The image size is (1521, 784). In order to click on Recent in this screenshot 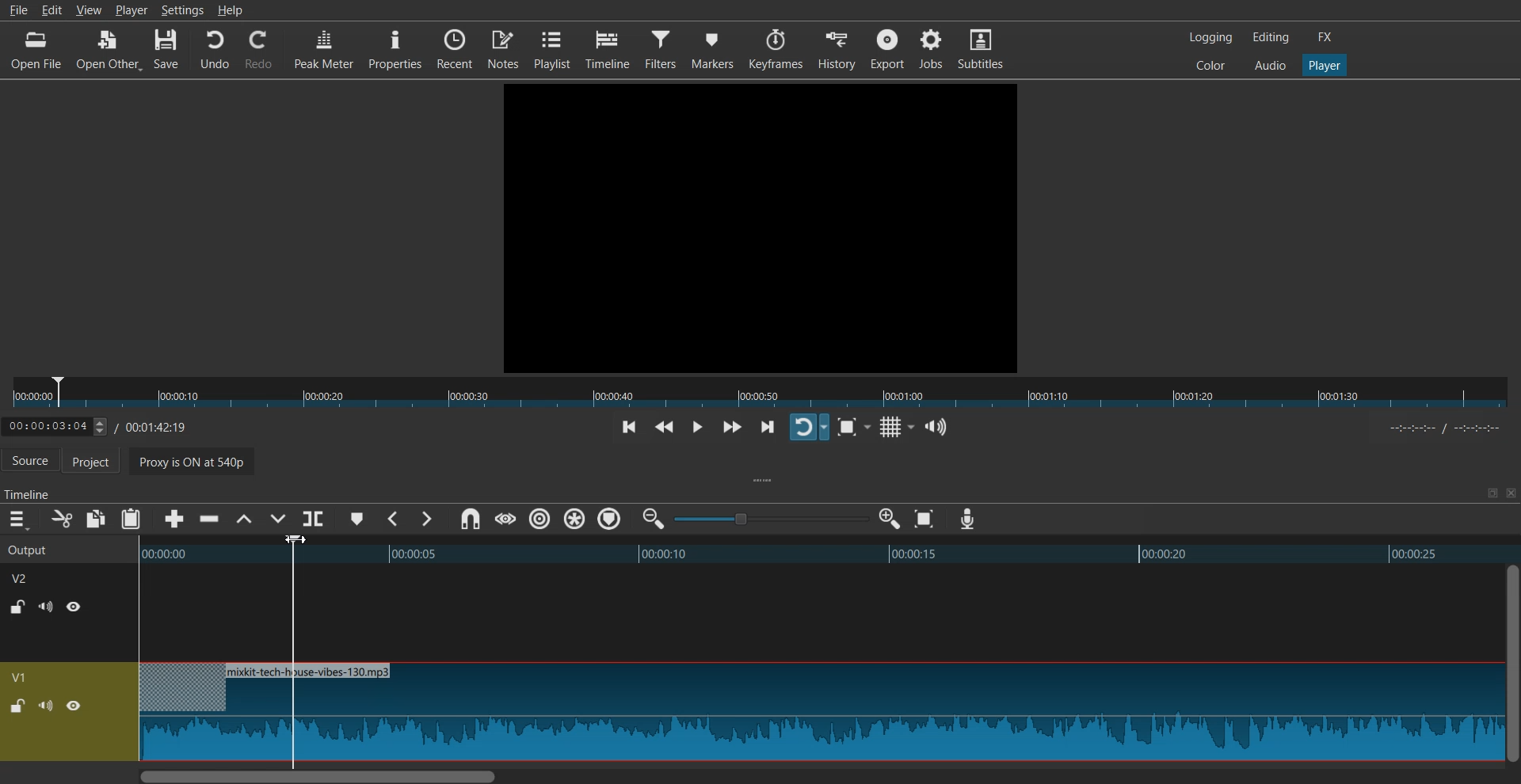, I will do `click(455, 48)`.